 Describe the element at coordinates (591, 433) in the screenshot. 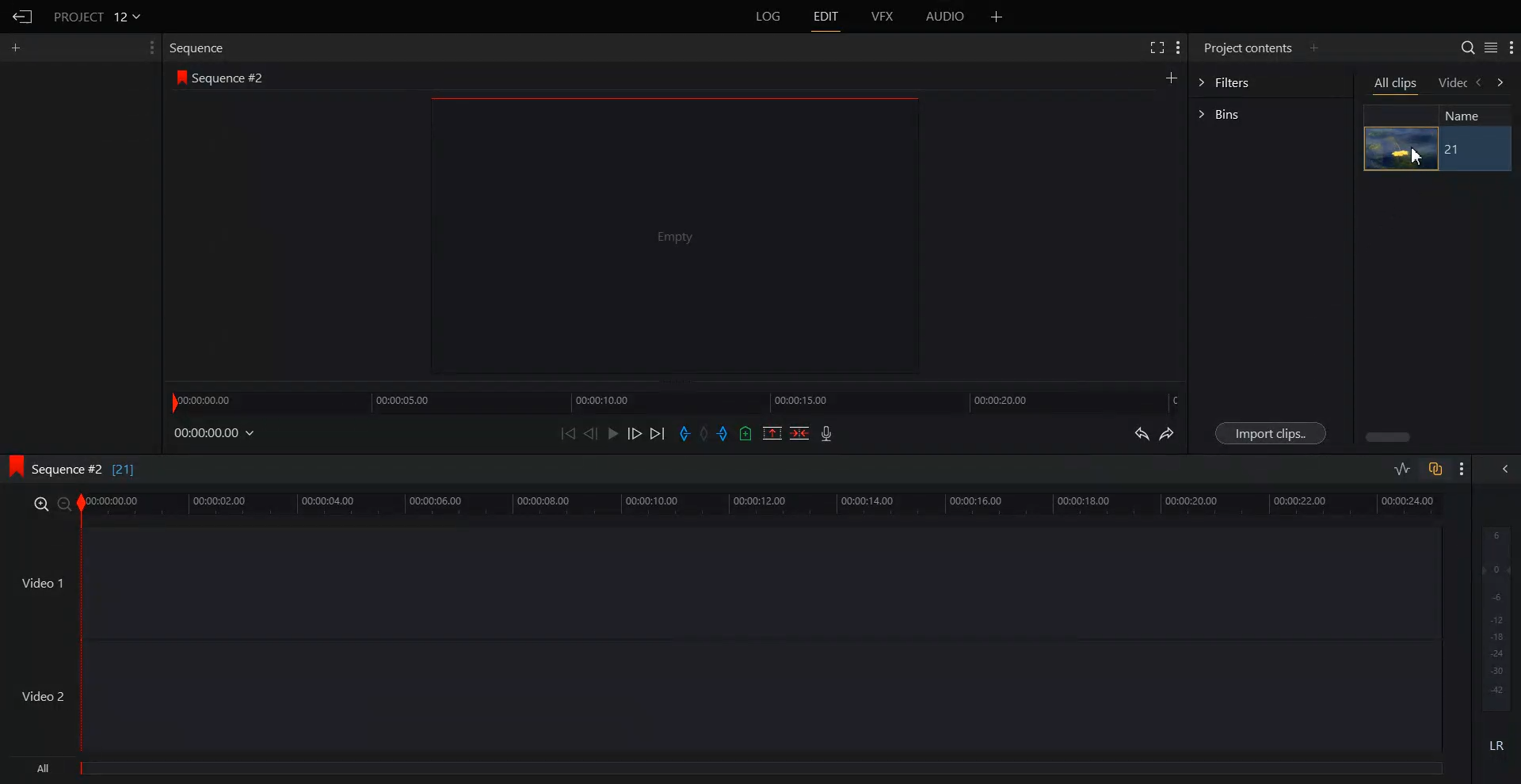

I see `Nudge One frame Back` at that location.